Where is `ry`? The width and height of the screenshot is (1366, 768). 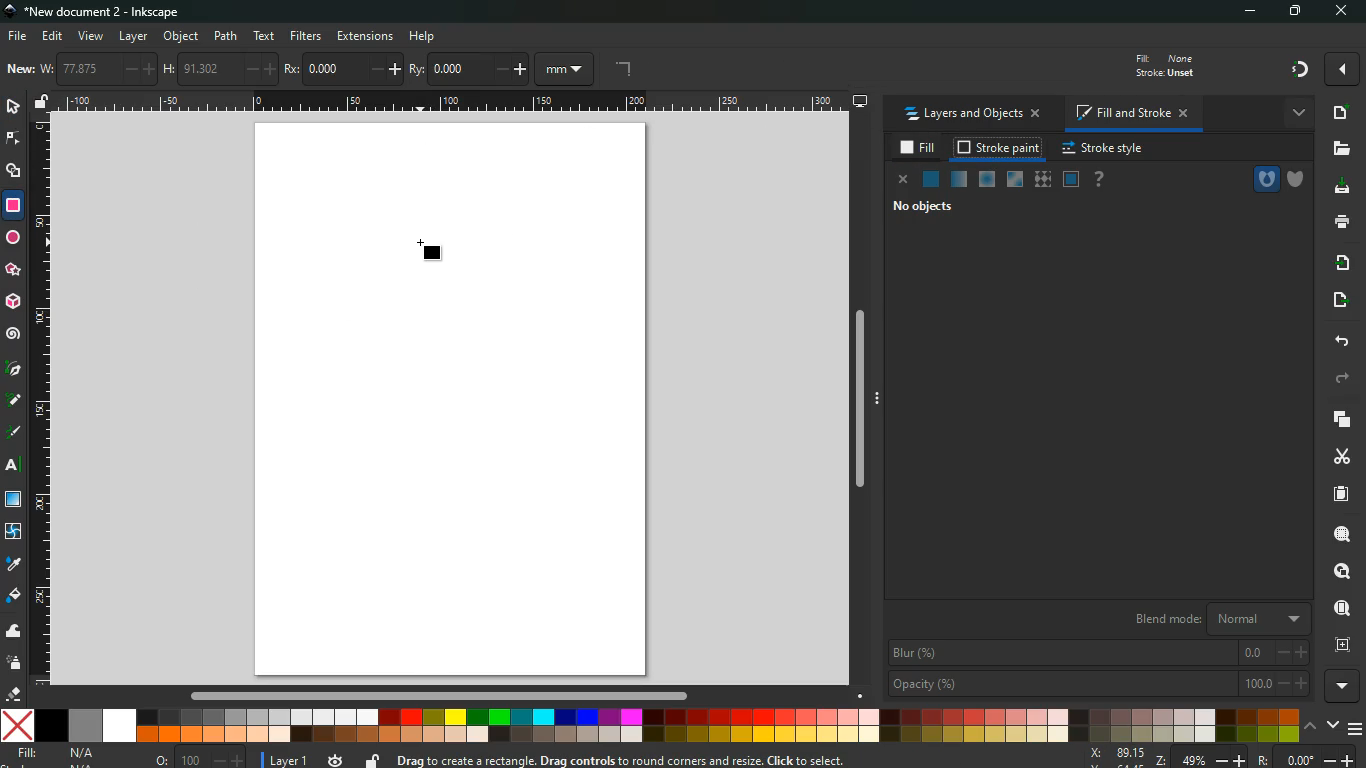 ry is located at coordinates (469, 70).